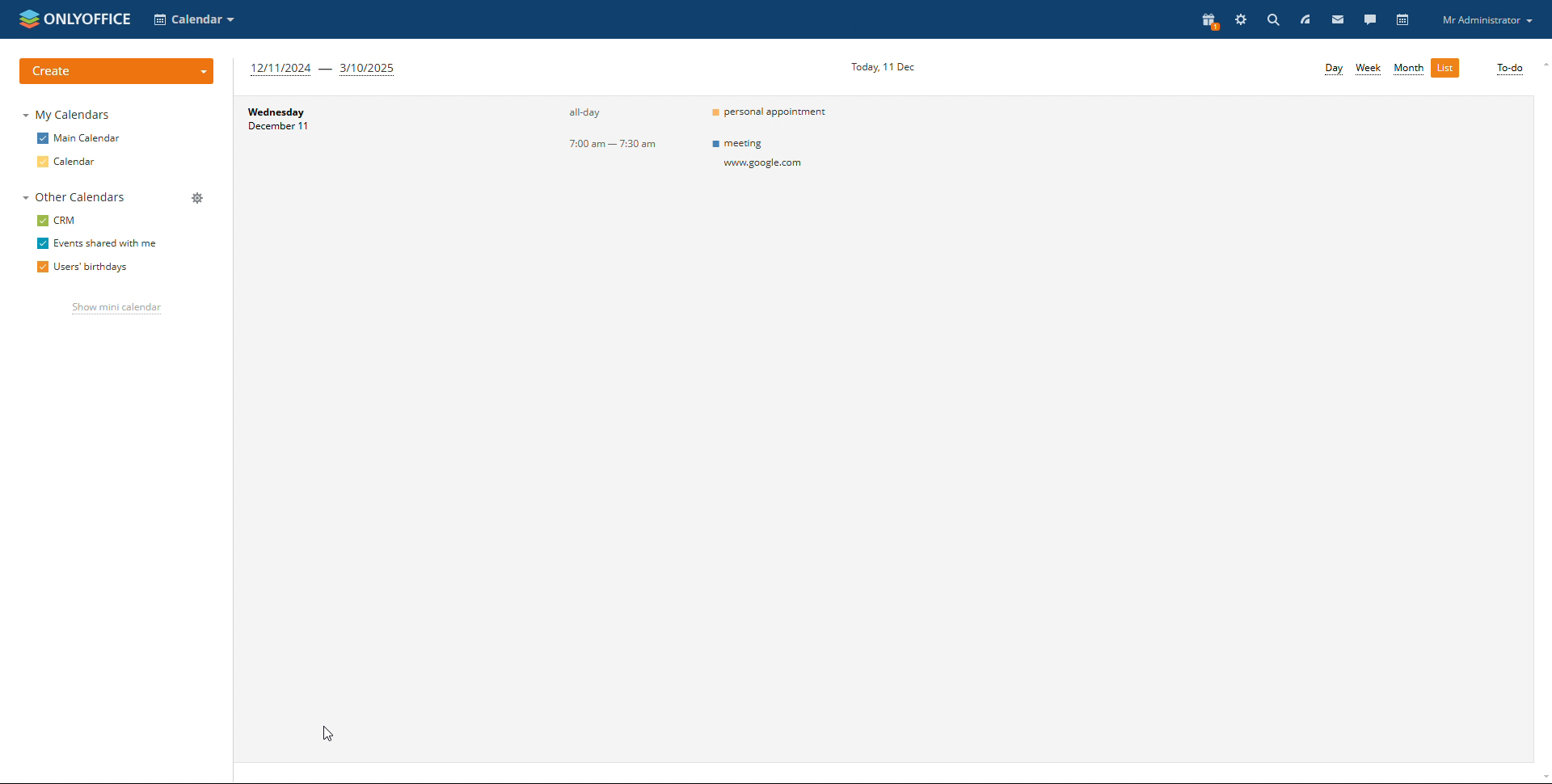 The height and width of the screenshot is (784, 1552). Describe the element at coordinates (75, 19) in the screenshot. I see `logo` at that location.